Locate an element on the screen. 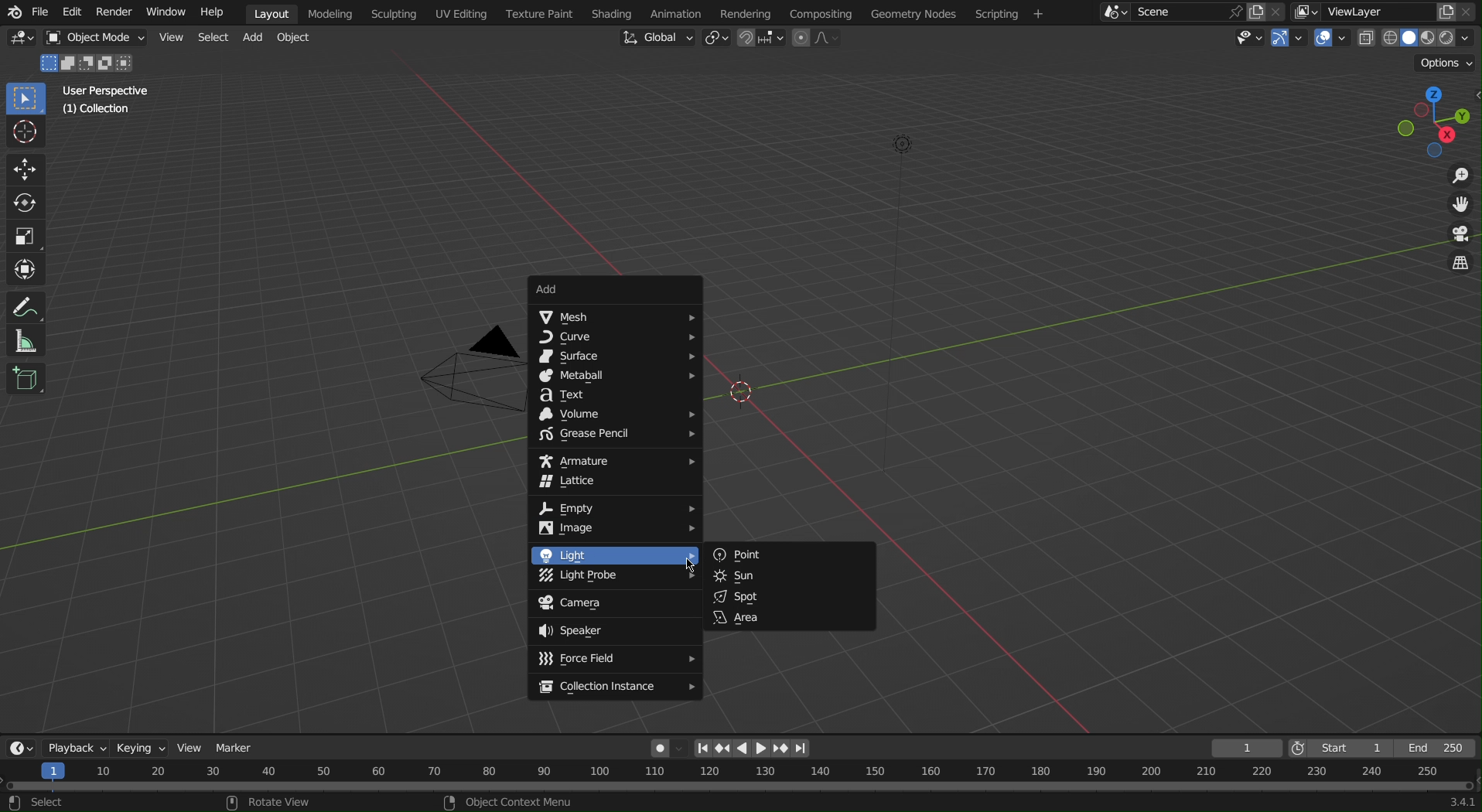 The width and height of the screenshot is (1482, 812). Edit is located at coordinates (71, 13).